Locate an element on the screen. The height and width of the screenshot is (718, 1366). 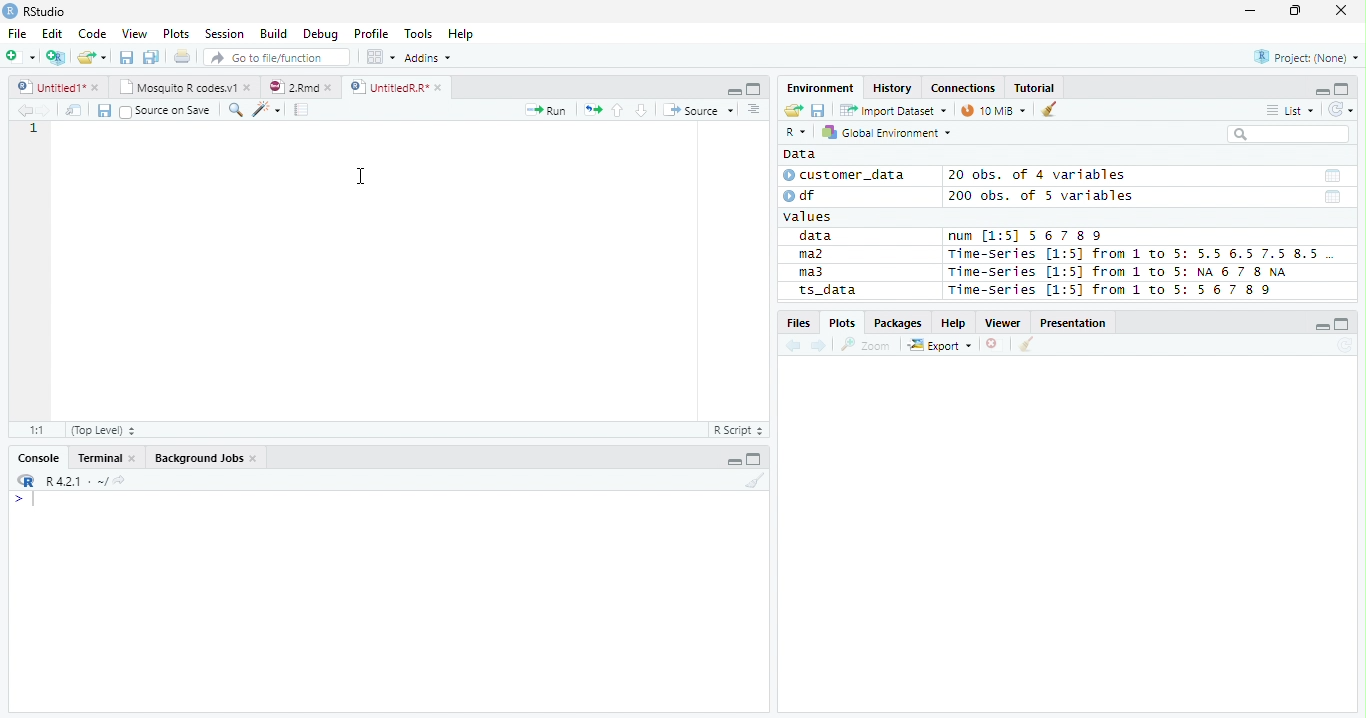
Environment is located at coordinates (822, 88).